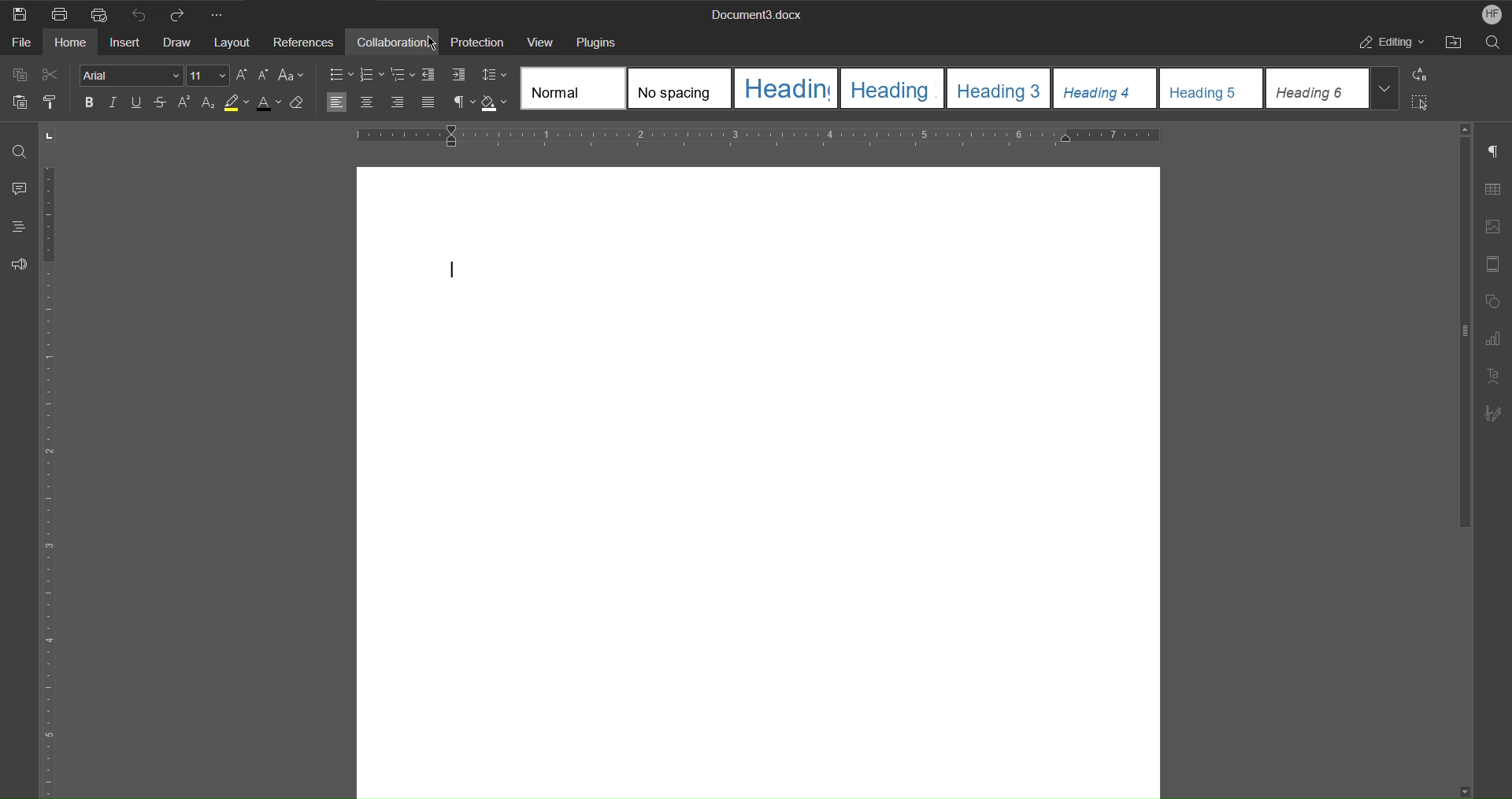 Image resolution: width=1512 pixels, height=799 pixels. Describe the element at coordinates (569, 91) in the screenshot. I see `Normal` at that location.